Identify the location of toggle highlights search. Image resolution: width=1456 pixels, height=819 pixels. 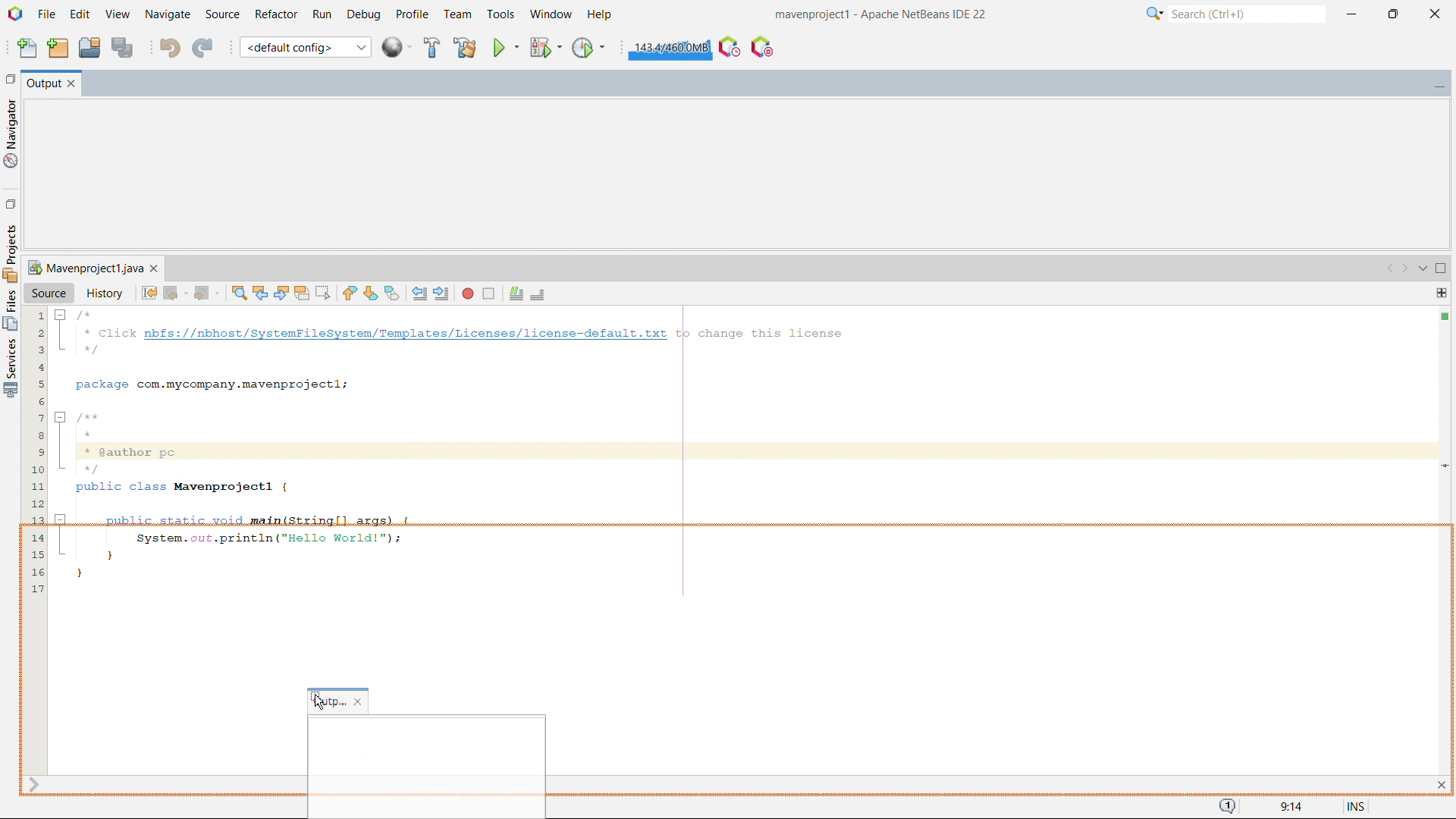
(302, 293).